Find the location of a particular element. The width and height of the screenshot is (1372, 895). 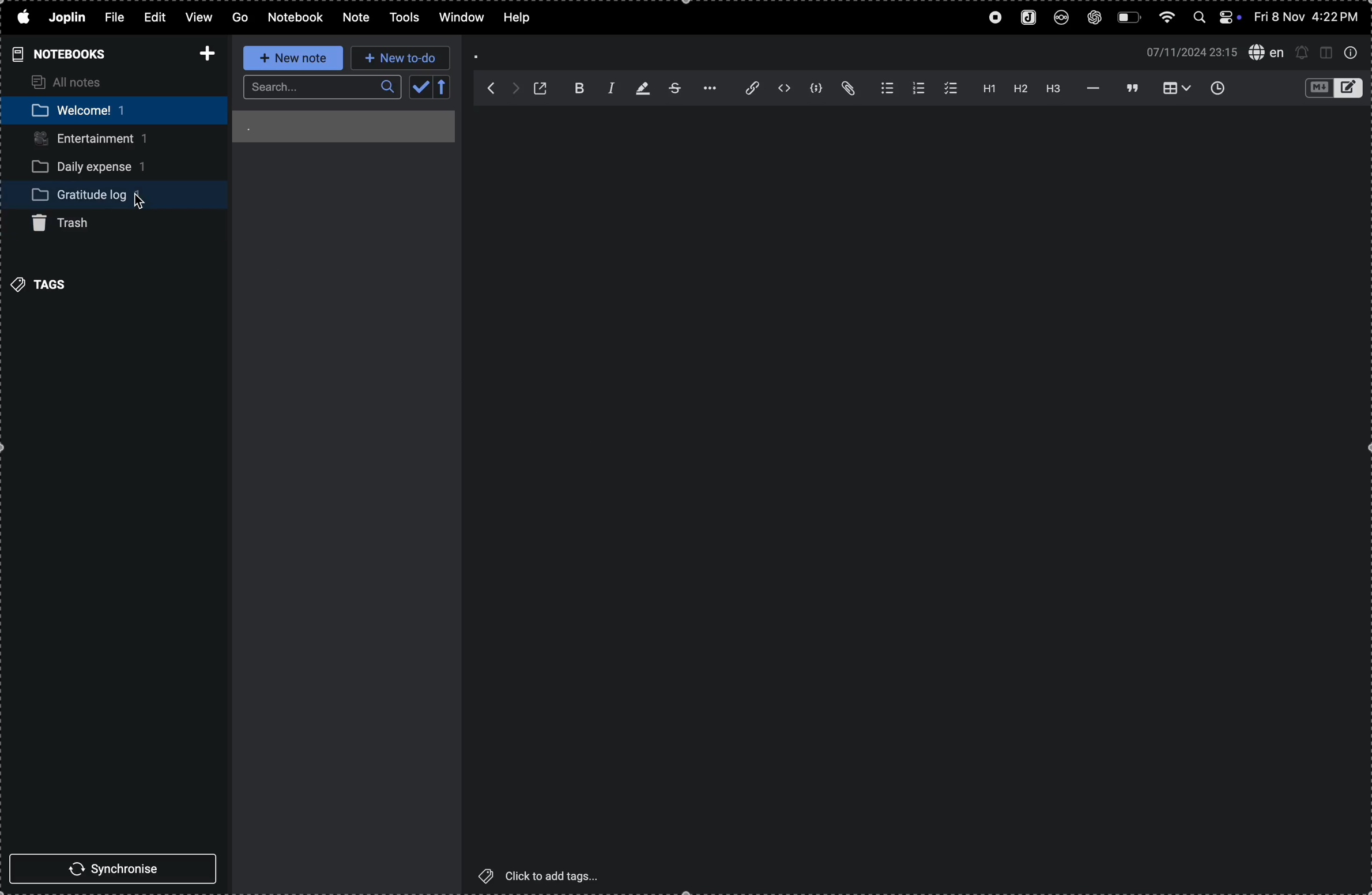

file is located at coordinates (114, 18).